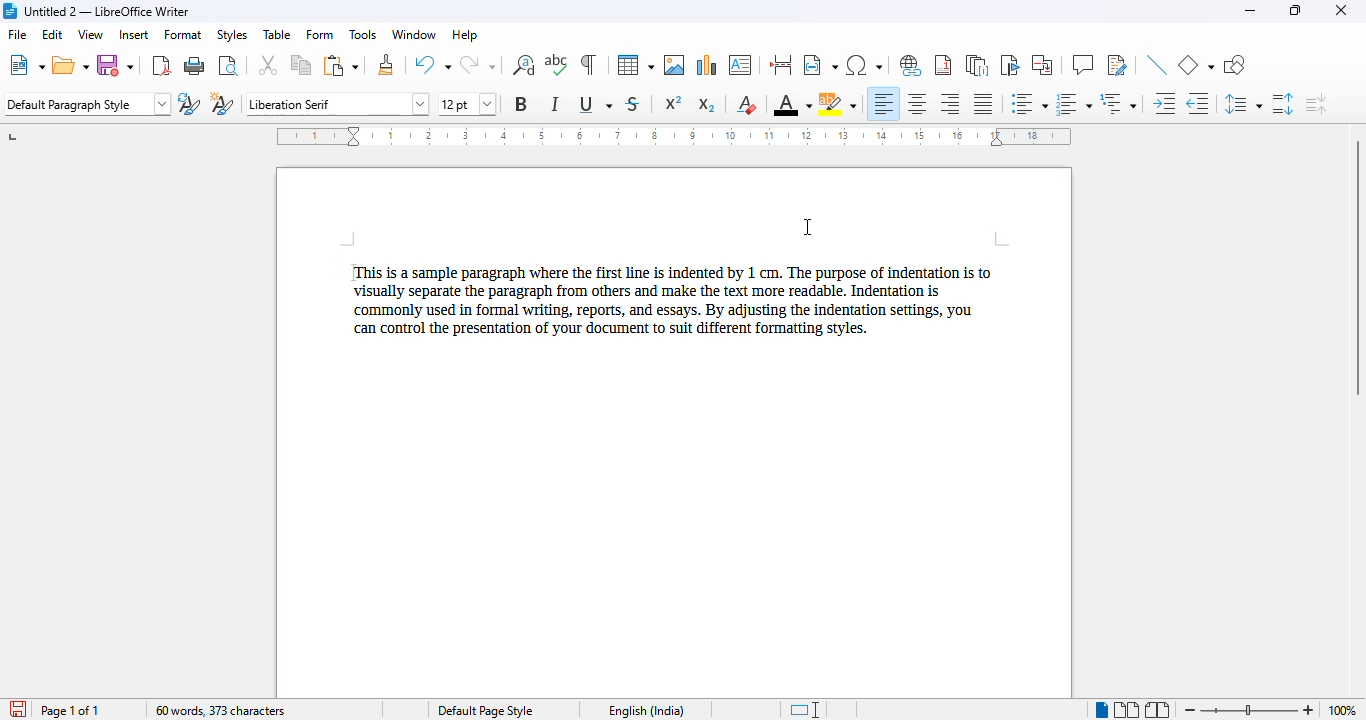  Describe the element at coordinates (556, 103) in the screenshot. I see `italic` at that location.